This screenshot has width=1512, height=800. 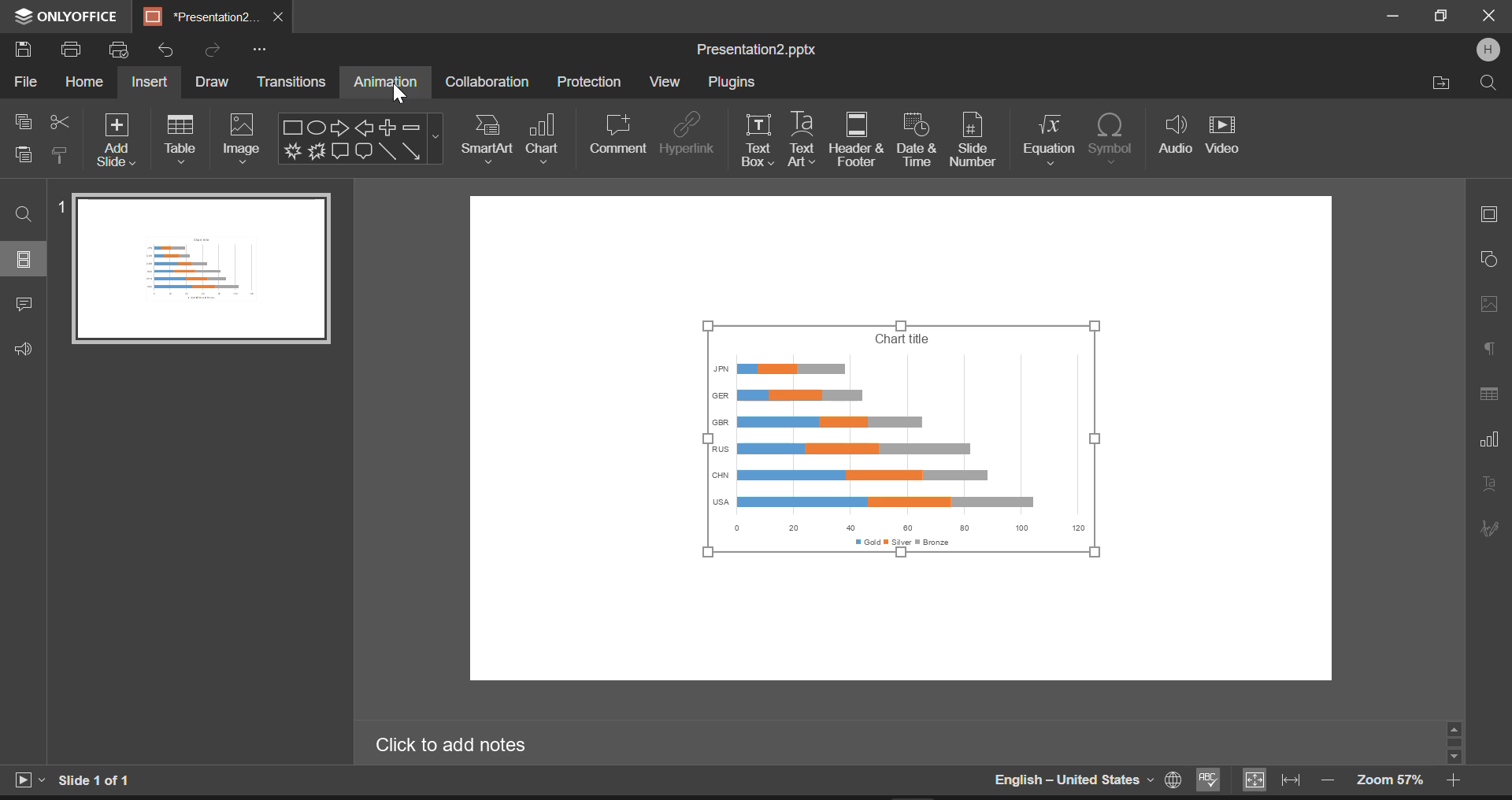 I want to click on Chart inserted into slide, so click(x=911, y=443).